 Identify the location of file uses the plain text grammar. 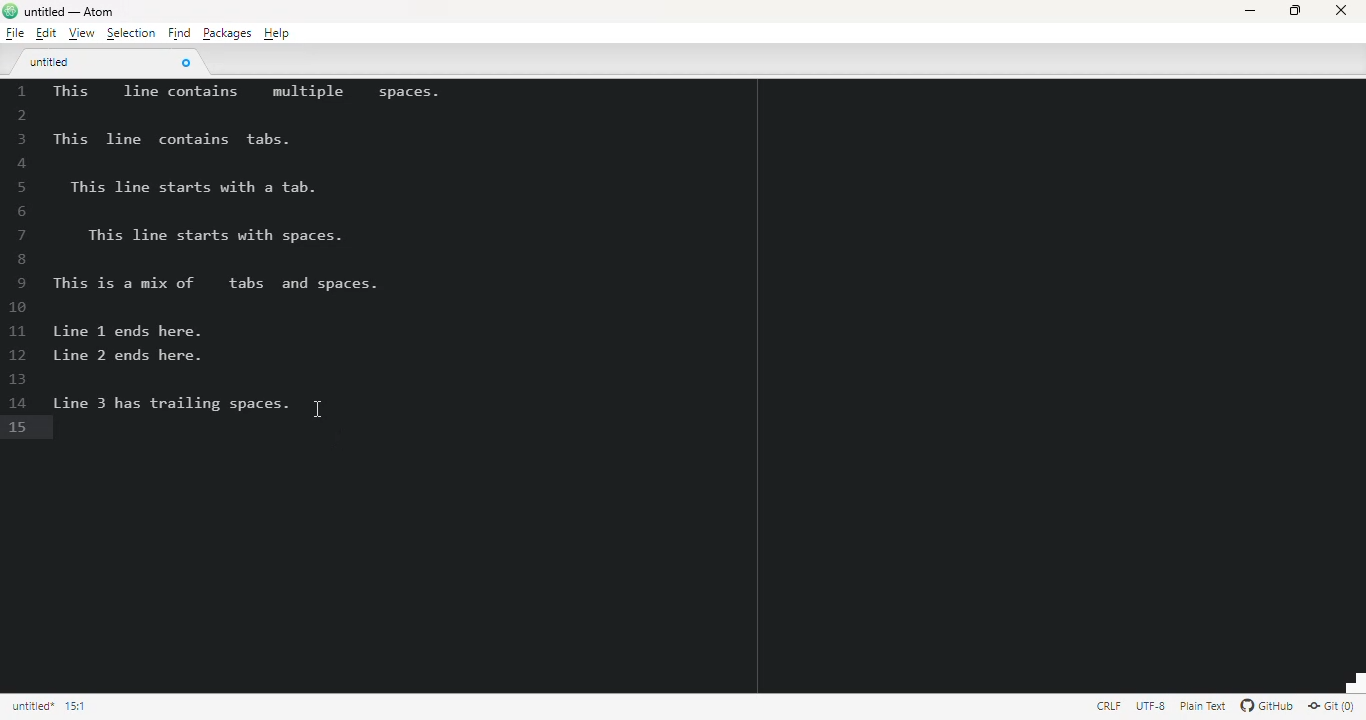
(1205, 706).